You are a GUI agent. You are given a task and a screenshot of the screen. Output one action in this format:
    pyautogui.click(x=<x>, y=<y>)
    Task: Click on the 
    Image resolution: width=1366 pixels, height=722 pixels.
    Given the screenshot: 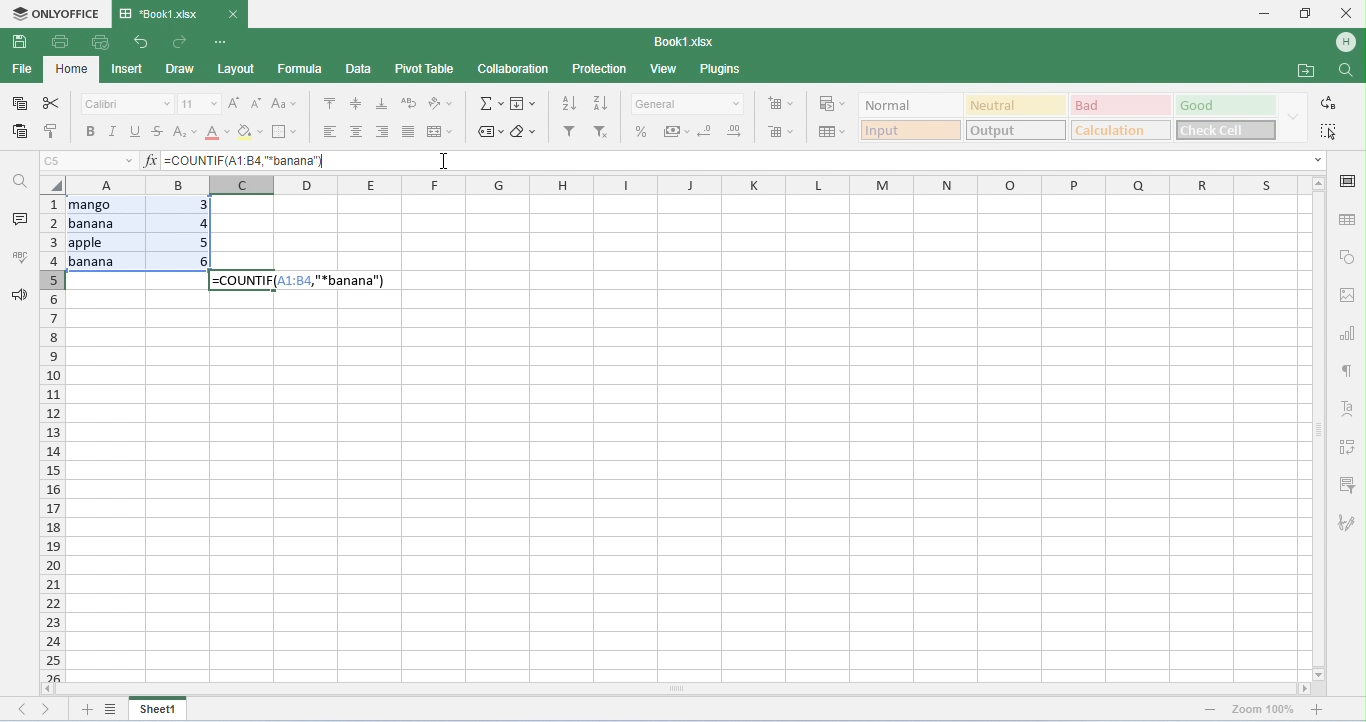 What is the action you would take?
    pyautogui.click(x=20, y=69)
    